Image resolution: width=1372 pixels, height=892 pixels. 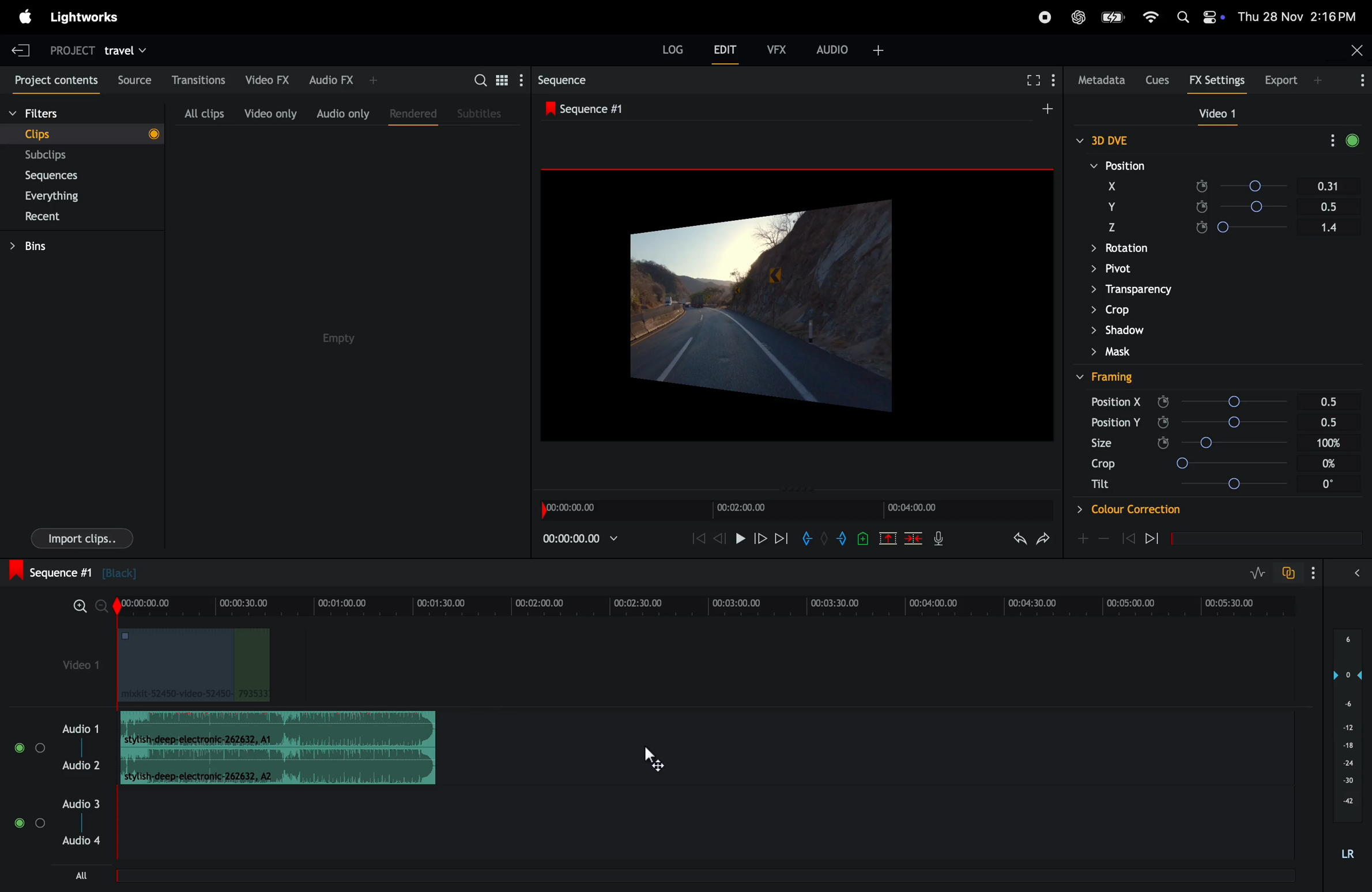 I want to click on , so click(x=1101, y=442).